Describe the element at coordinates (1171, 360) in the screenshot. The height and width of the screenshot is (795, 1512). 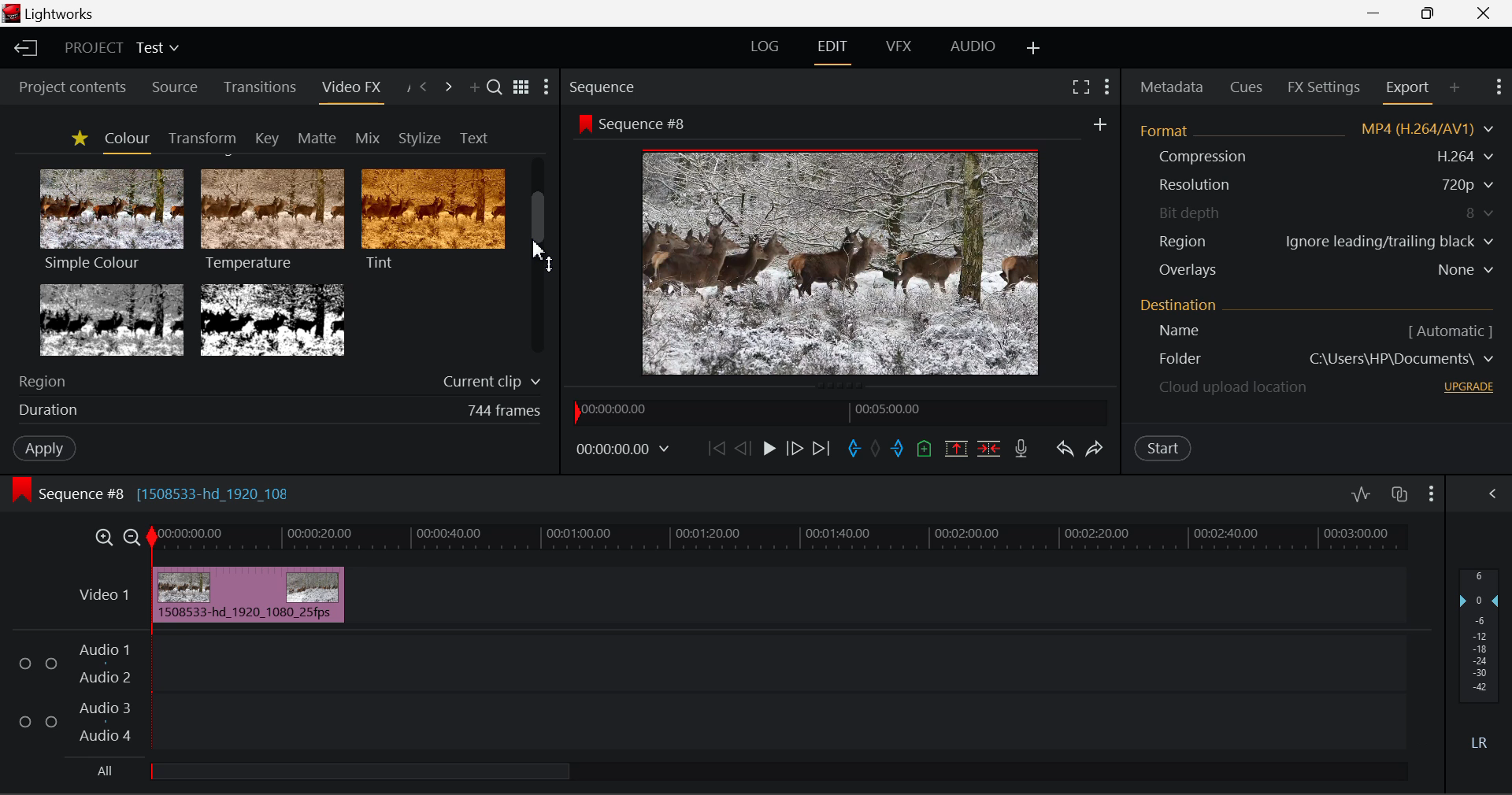
I see `Destination Folder` at that location.